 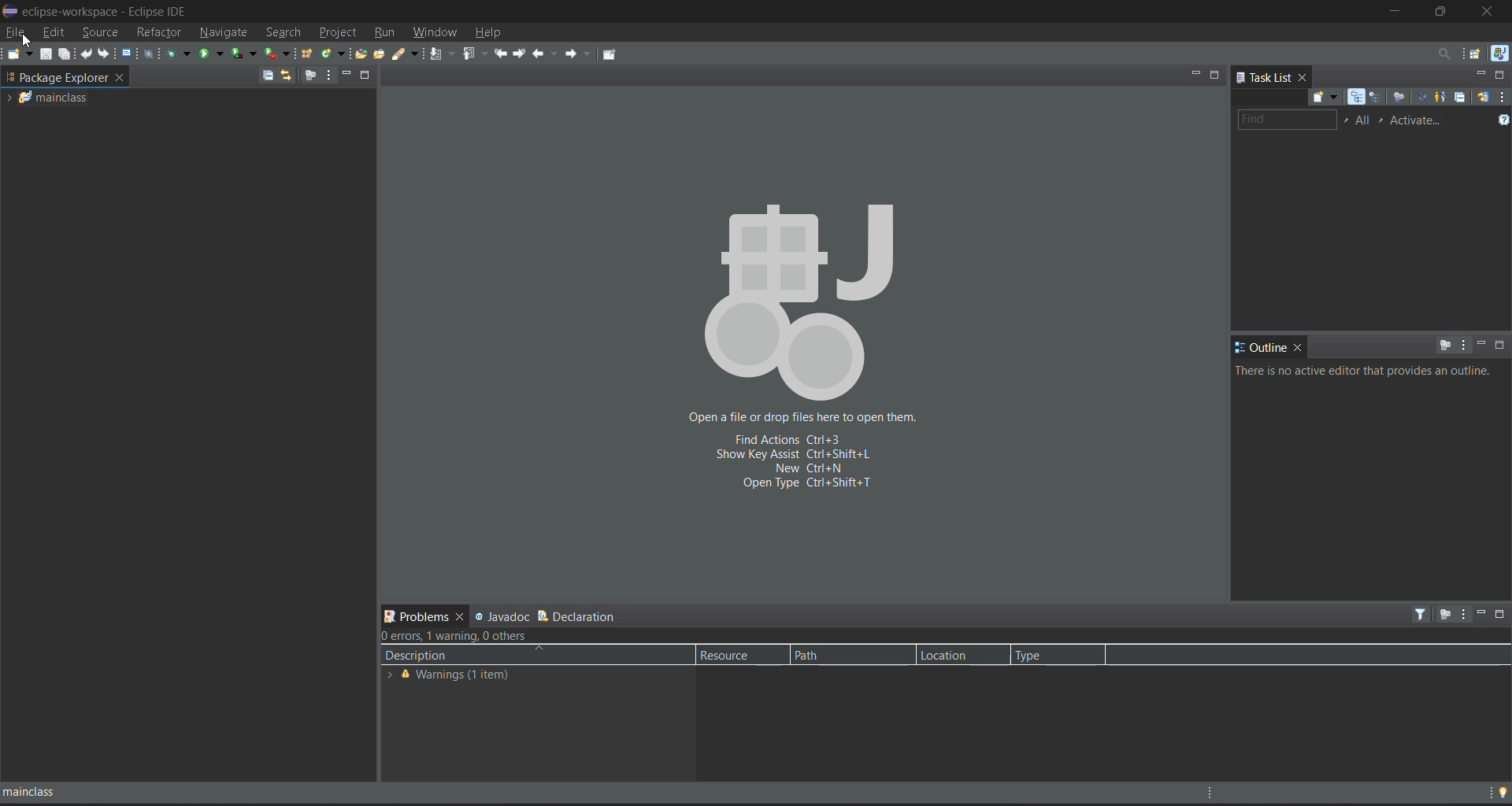 I want to click on select active task, so click(x=1384, y=121).